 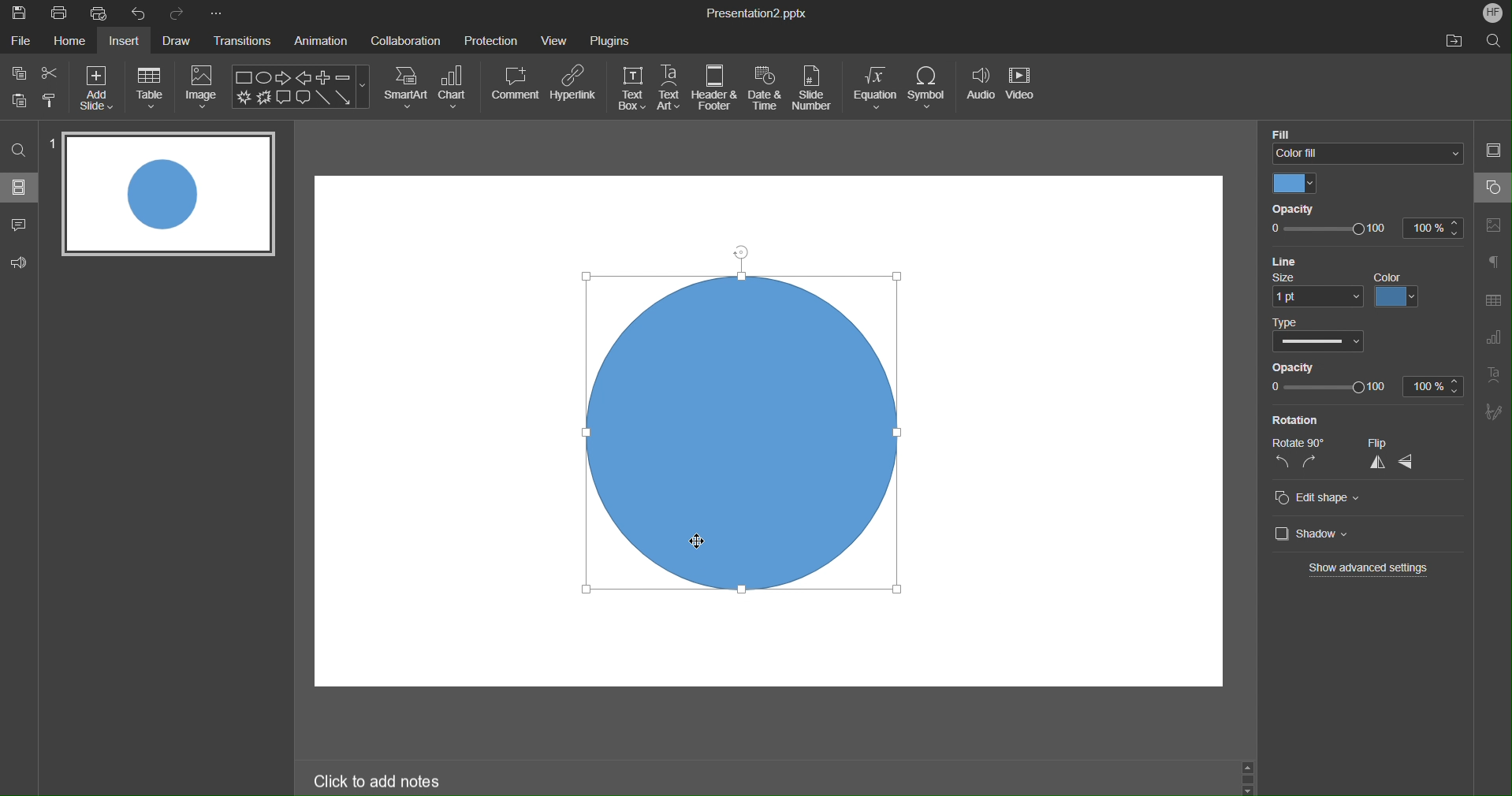 I want to click on Cursor, so click(x=692, y=541).